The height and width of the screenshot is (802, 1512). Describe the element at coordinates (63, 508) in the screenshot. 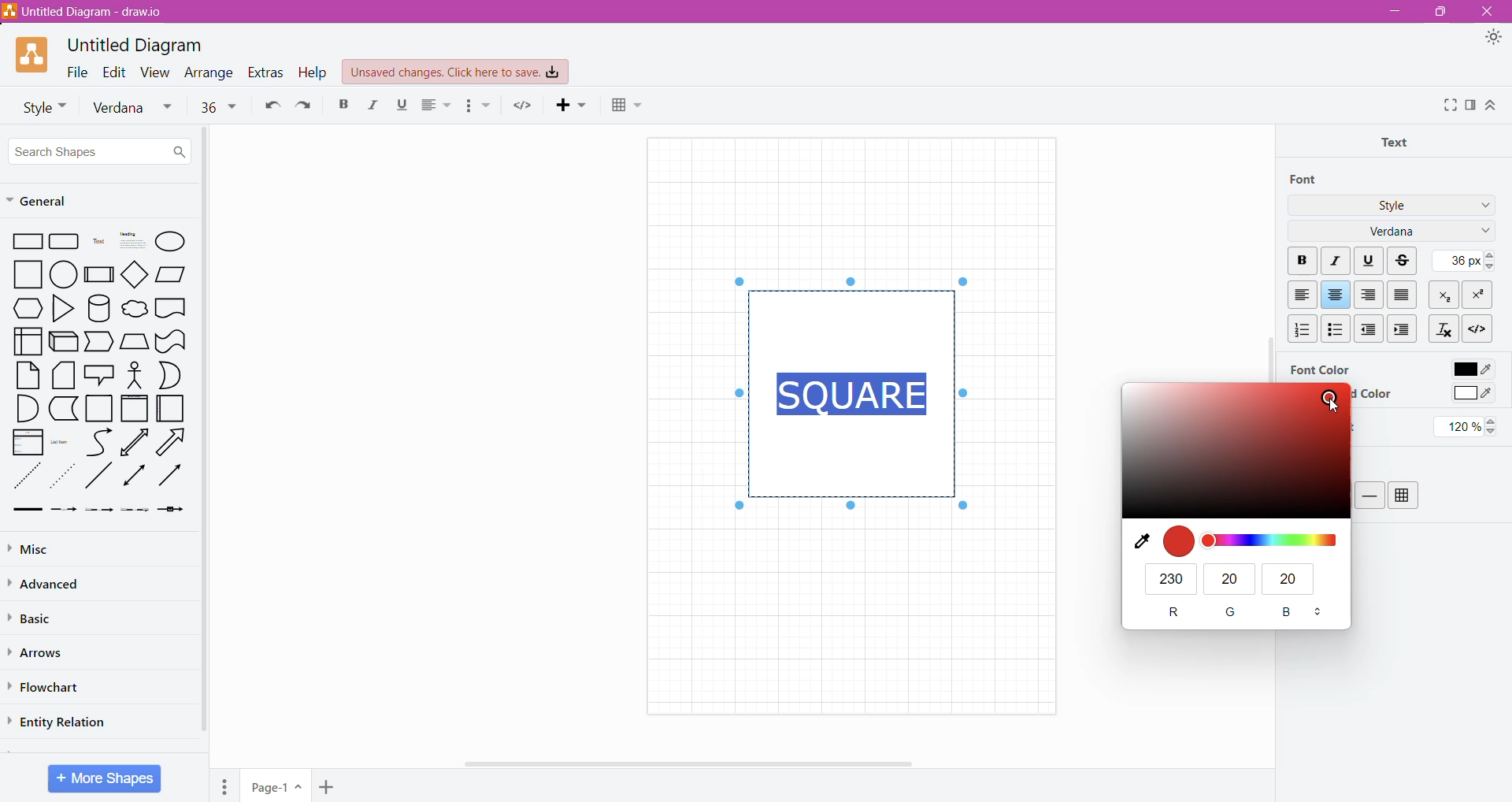

I see `Dashed Arrow ` at that location.